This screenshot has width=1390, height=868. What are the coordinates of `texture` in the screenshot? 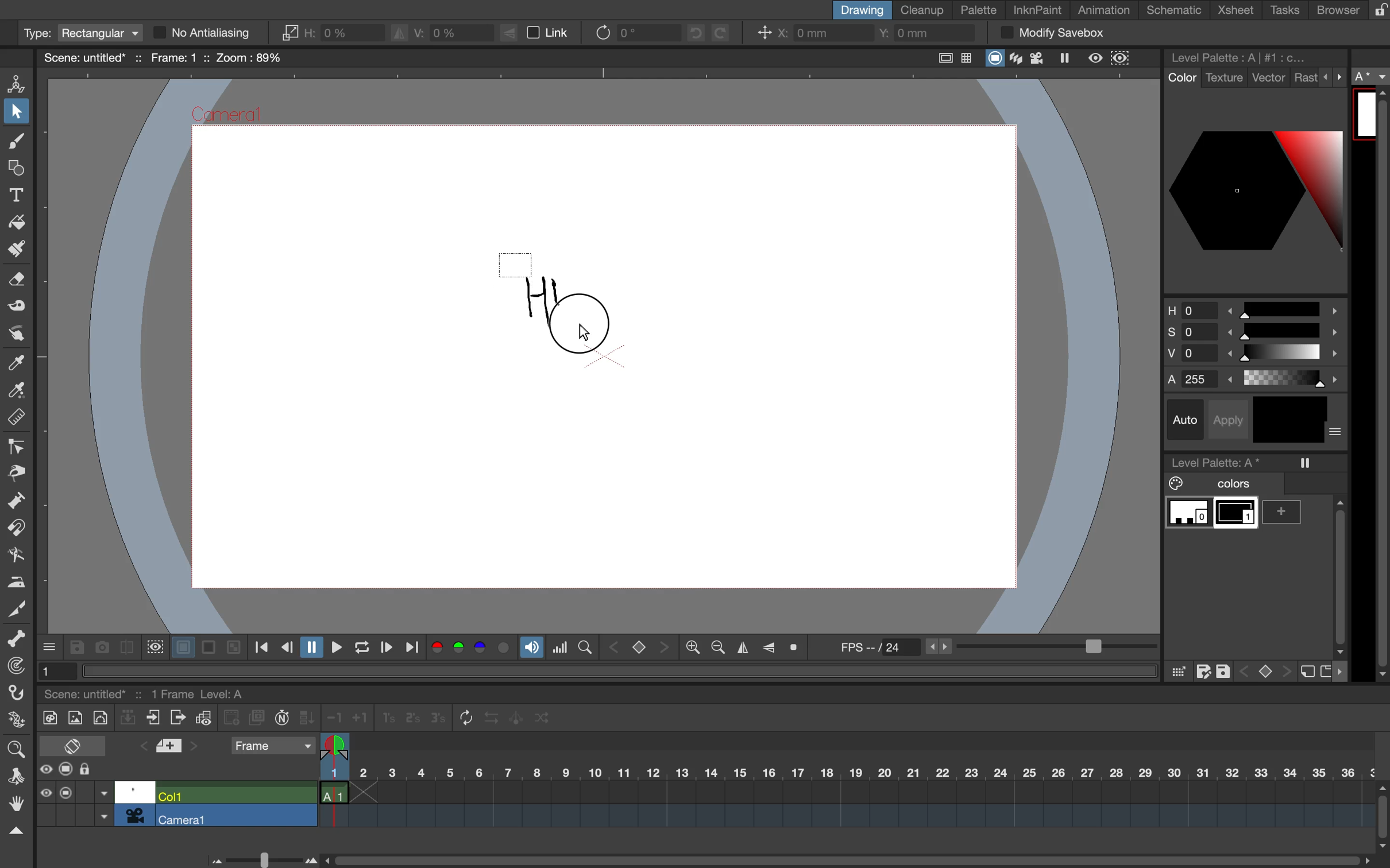 It's located at (1223, 78).